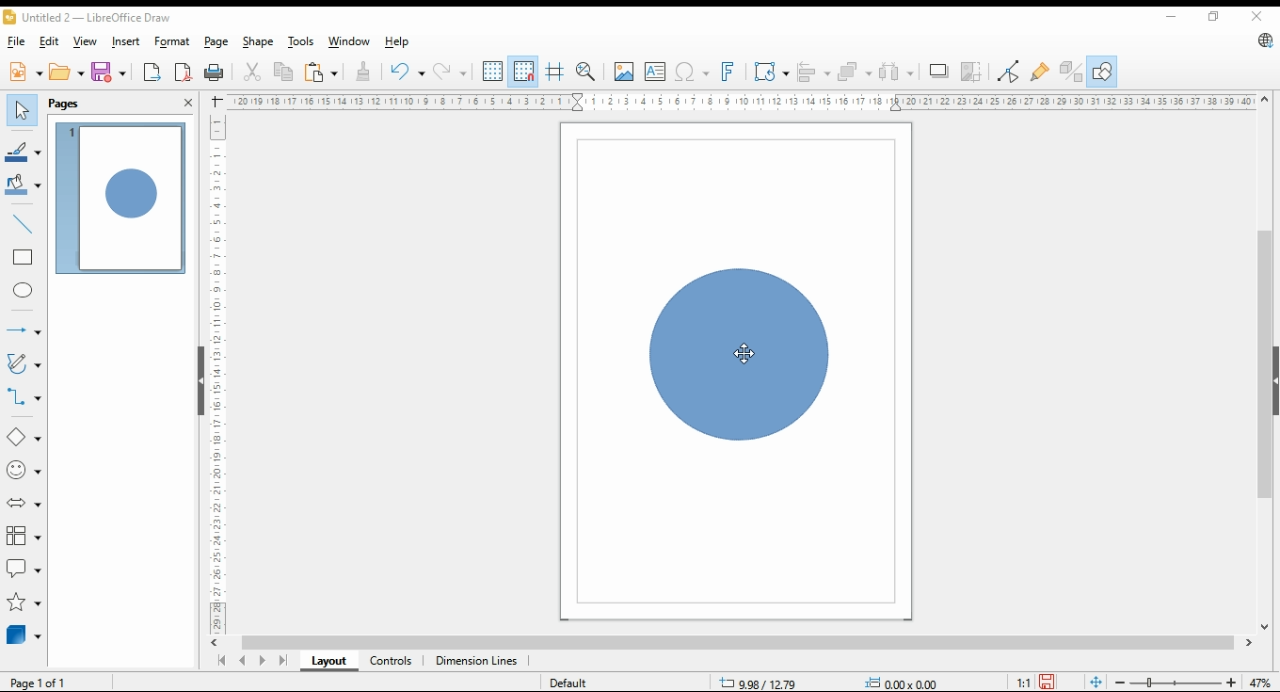 The width and height of the screenshot is (1280, 692). Describe the element at coordinates (152, 72) in the screenshot. I see `export` at that location.